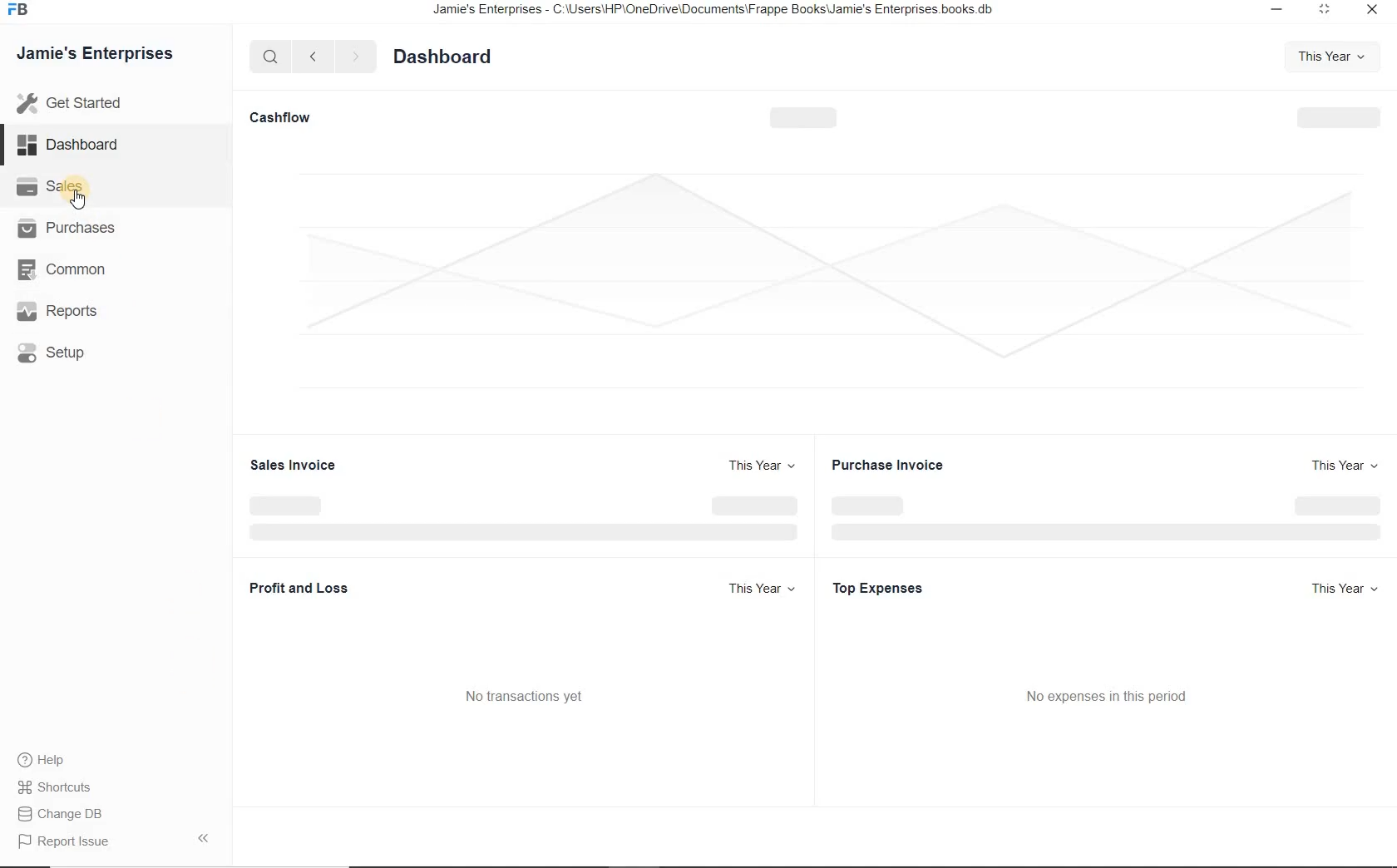 The height and width of the screenshot is (868, 1397). What do you see at coordinates (68, 144) in the screenshot?
I see `Dashboard` at bounding box center [68, 144].